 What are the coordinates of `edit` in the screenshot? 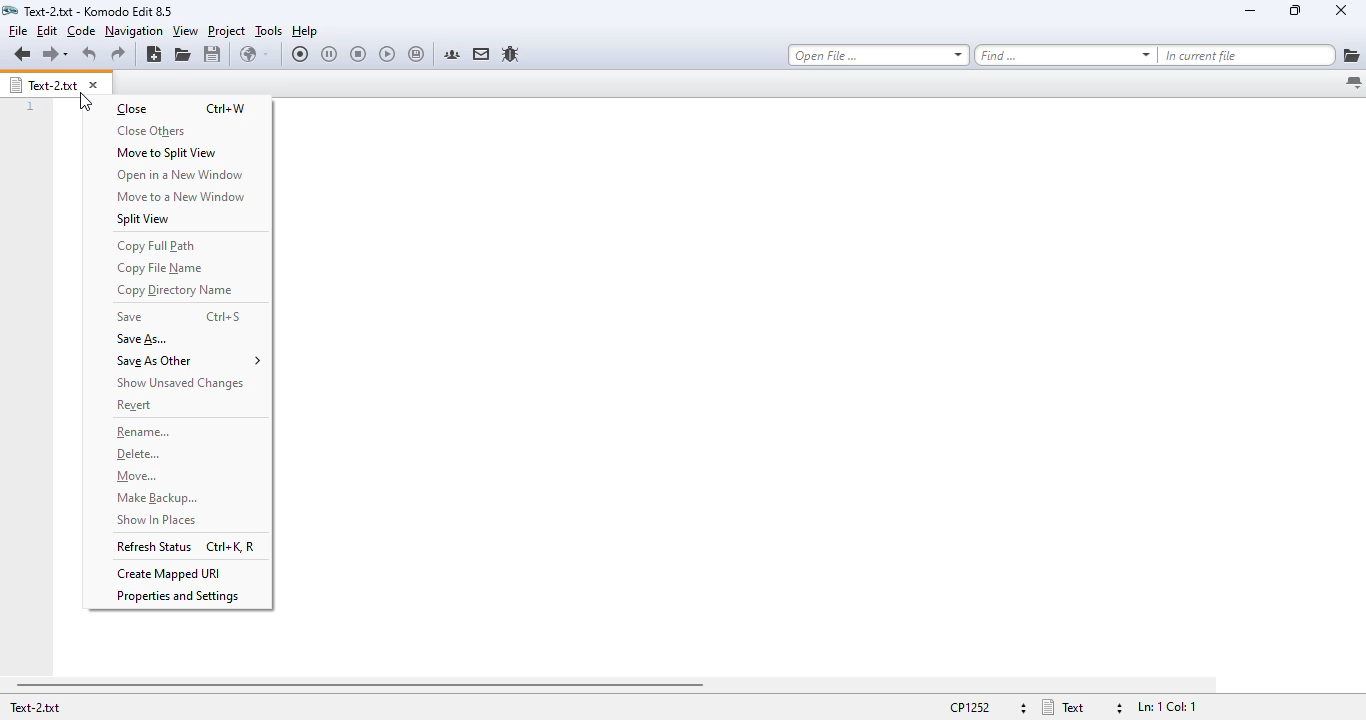 It's located at (46, 31).